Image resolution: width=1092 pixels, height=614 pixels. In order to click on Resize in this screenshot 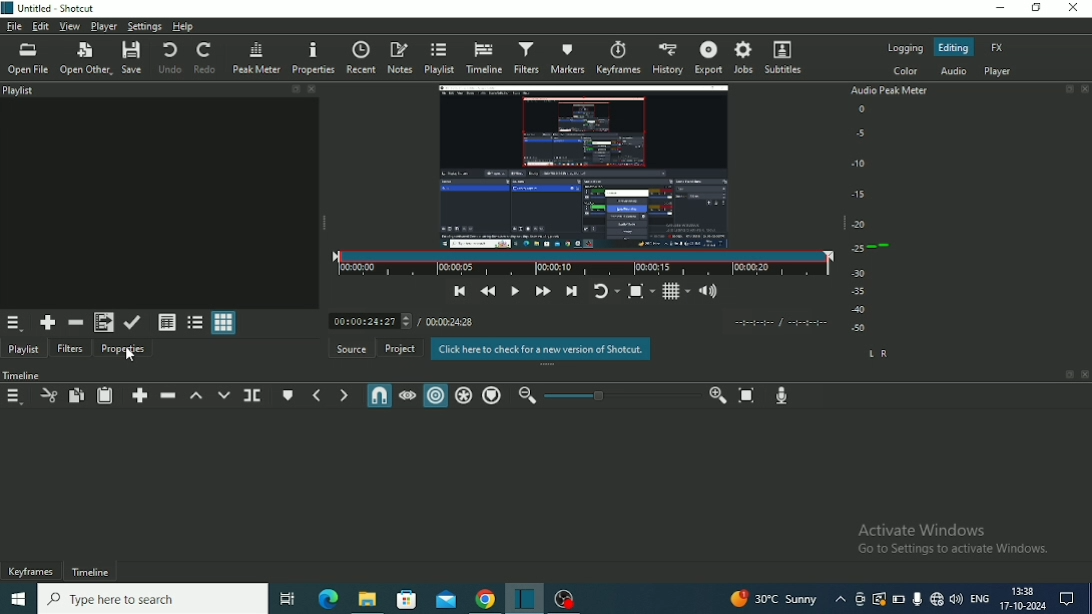, I will do `click(549, 365)`.